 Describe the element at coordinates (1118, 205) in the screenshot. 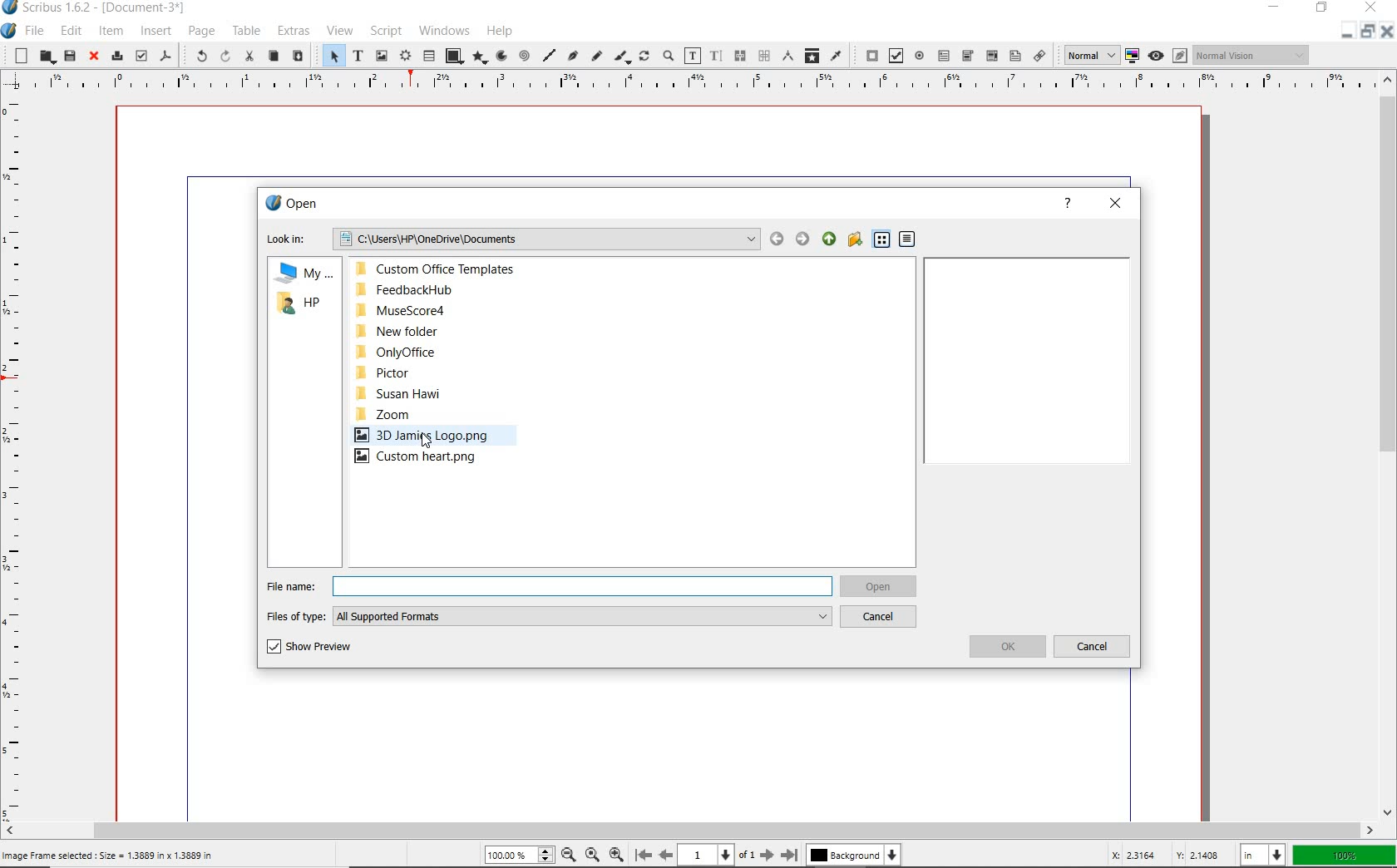

I see `CLOSE` at that location.